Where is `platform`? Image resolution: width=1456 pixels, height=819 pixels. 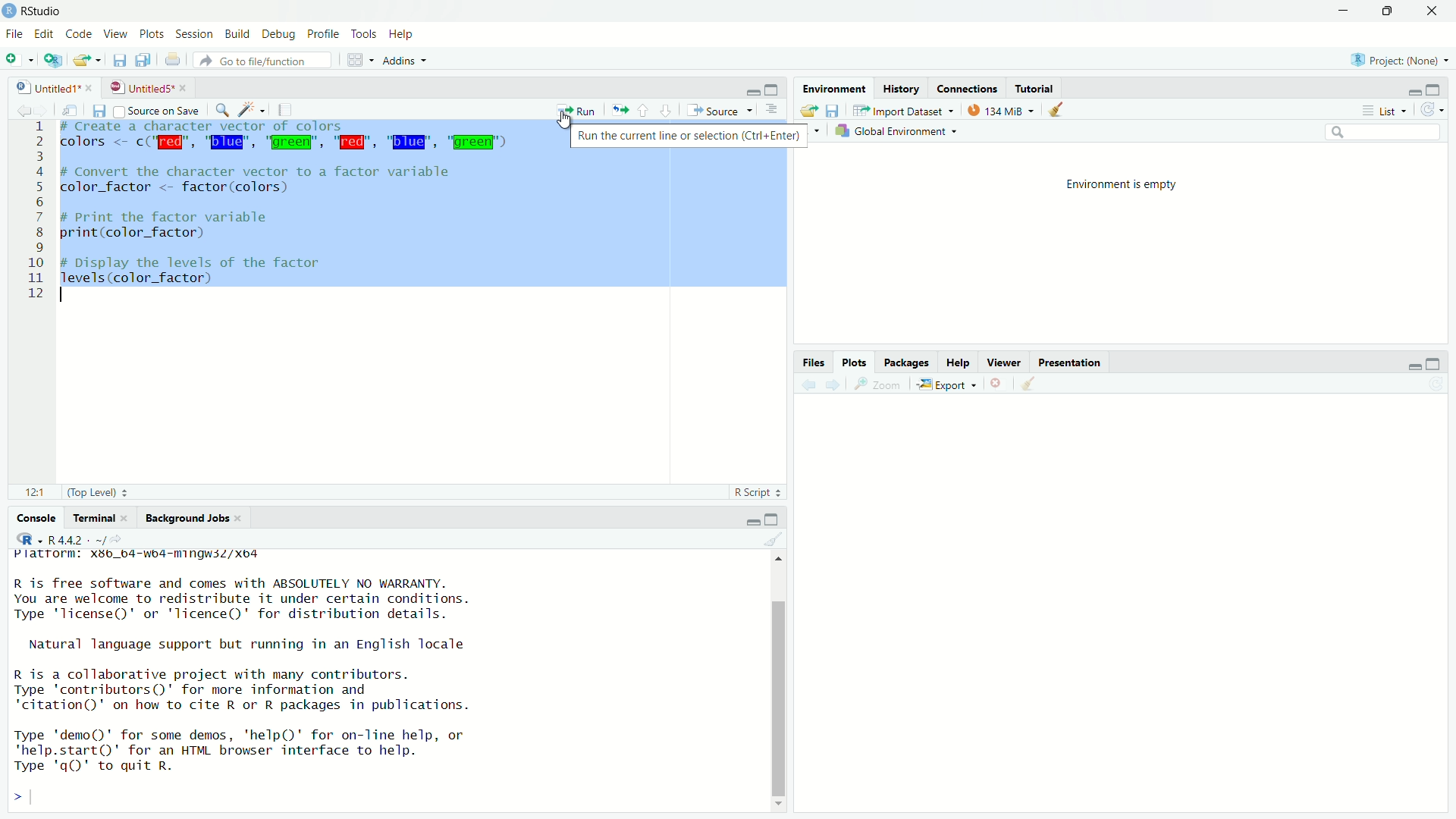
platform is located at coordinates (161, 557).